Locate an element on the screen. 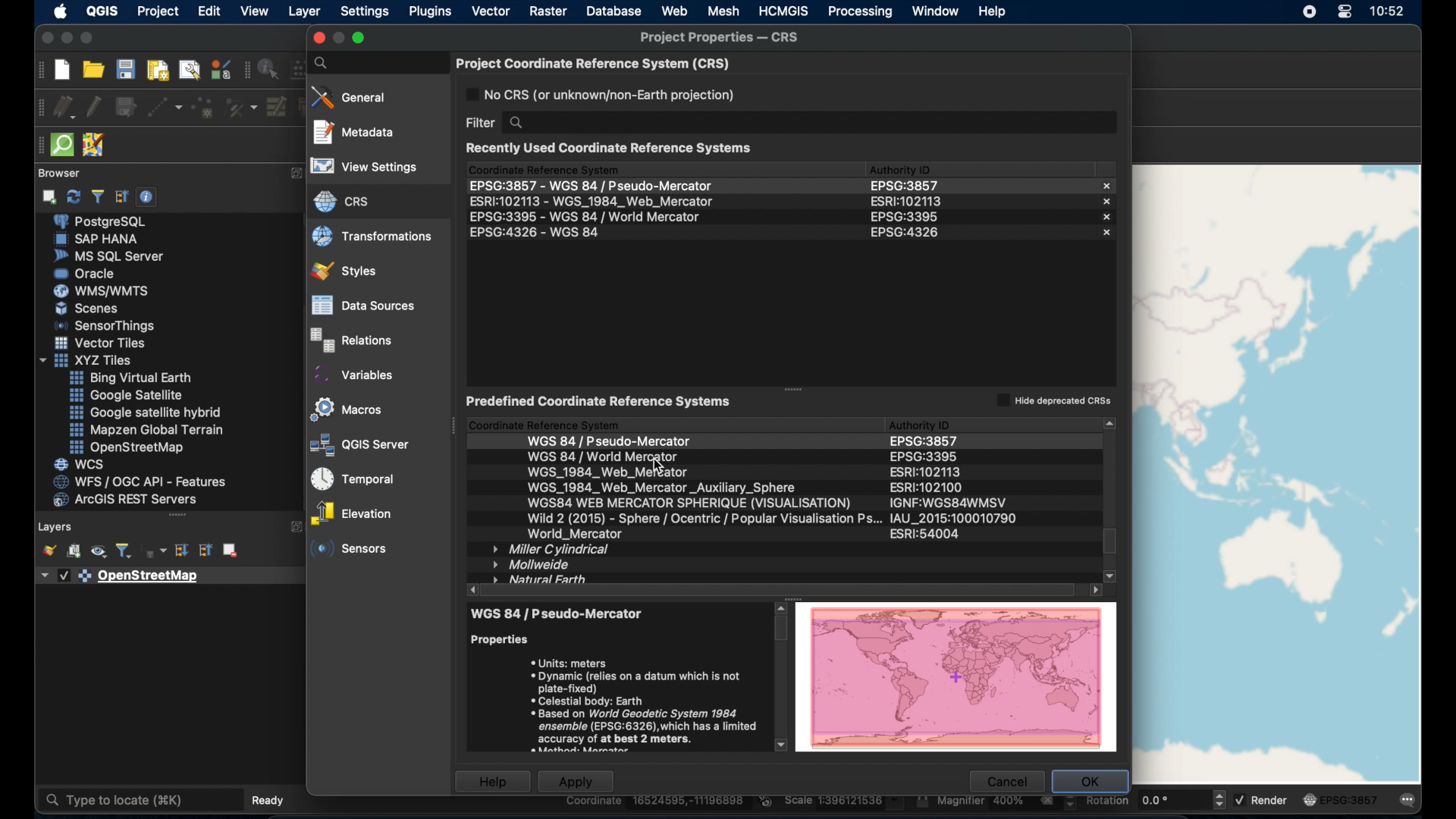  sensor things is located at coordinates (106, 328).